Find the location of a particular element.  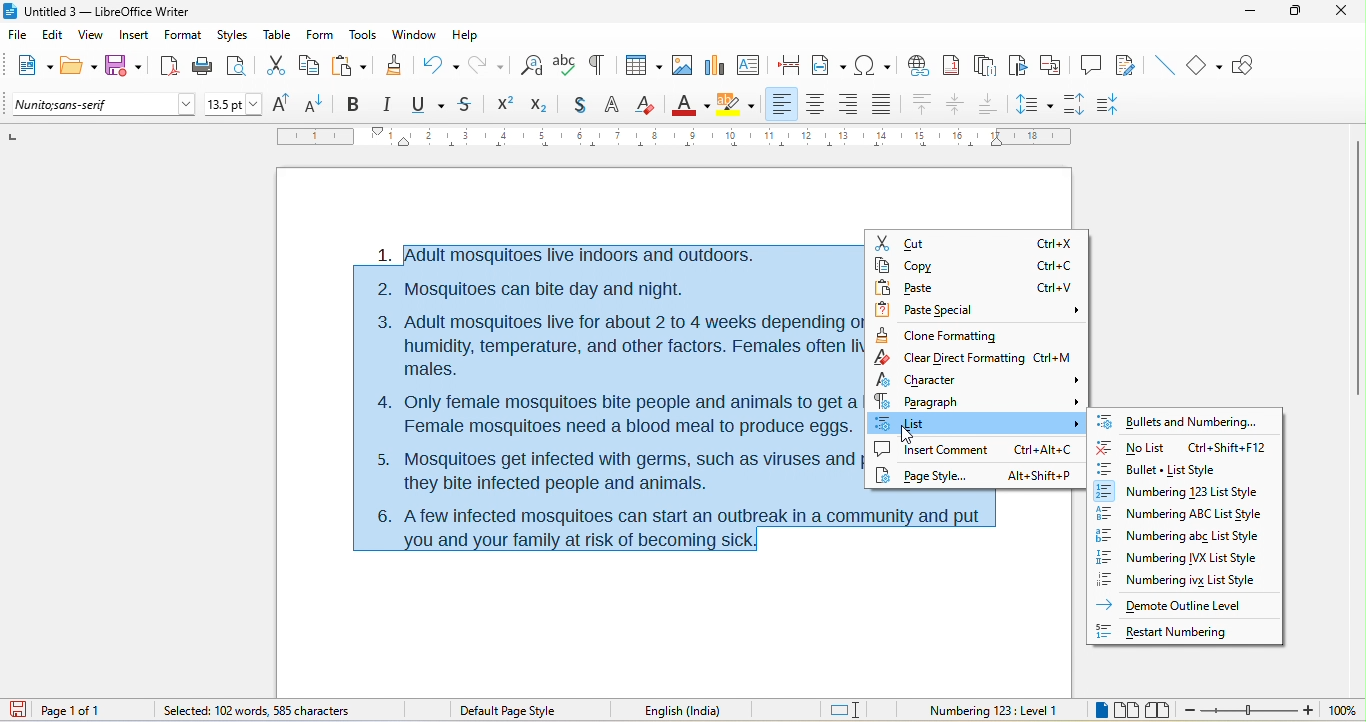

click to save the document is located at coordinates (23, 711).